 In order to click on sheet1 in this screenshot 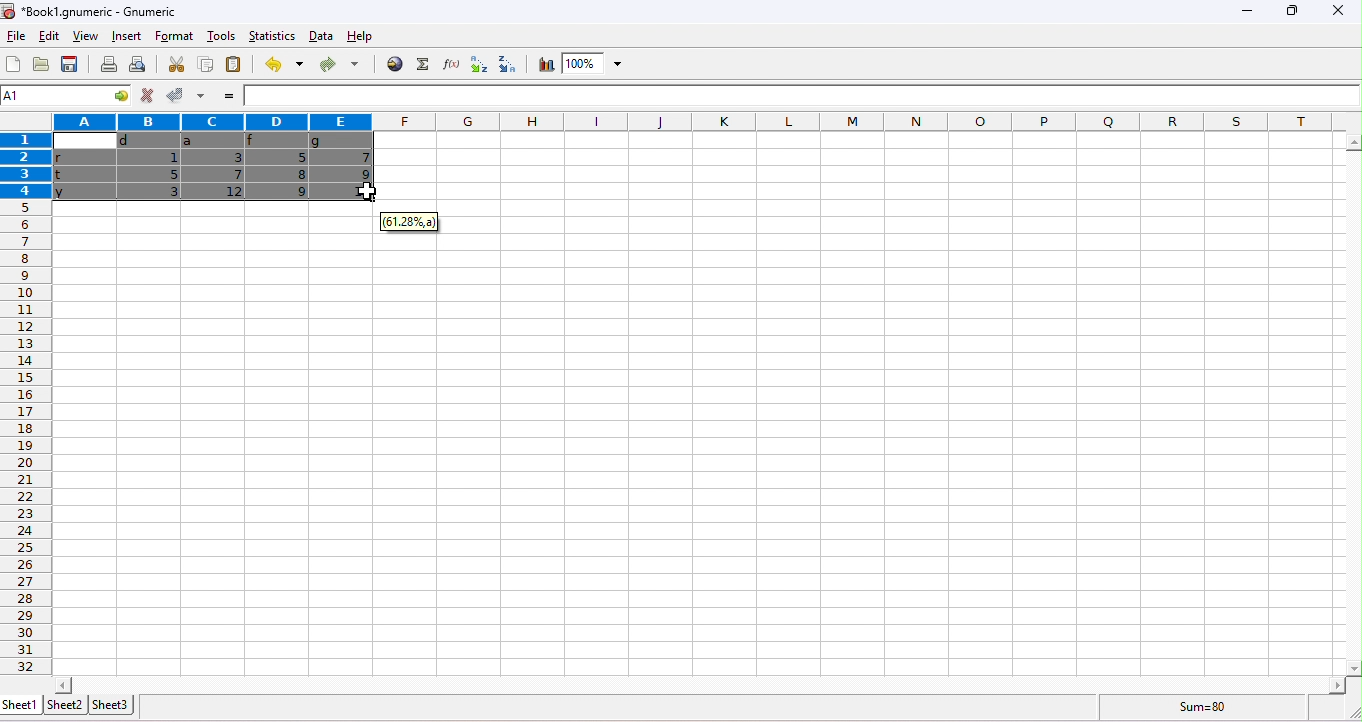, I will do `click(20, 704)`.